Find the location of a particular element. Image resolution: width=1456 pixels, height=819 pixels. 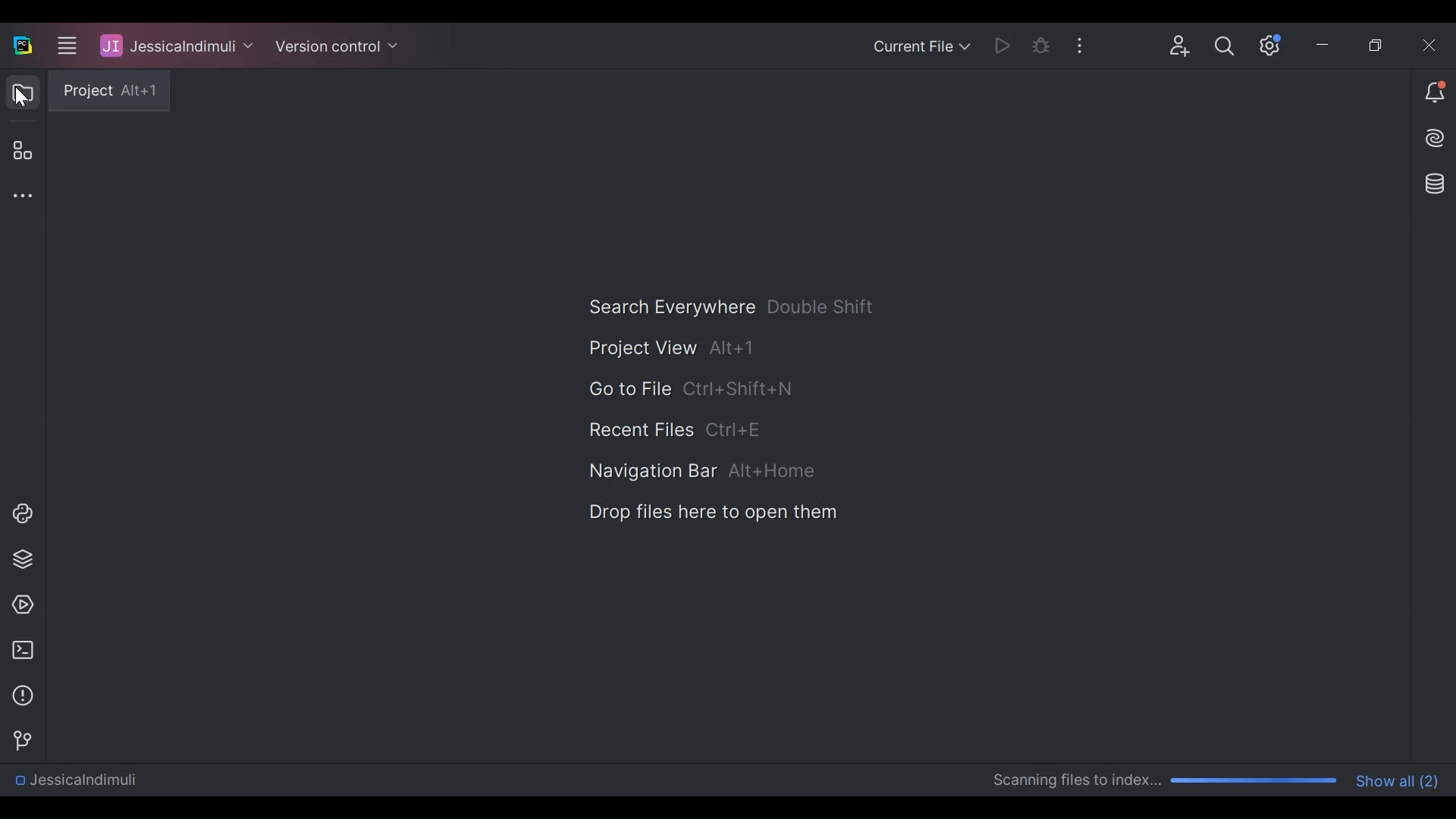

Search Everywhere is located at coordinates (727, 305).